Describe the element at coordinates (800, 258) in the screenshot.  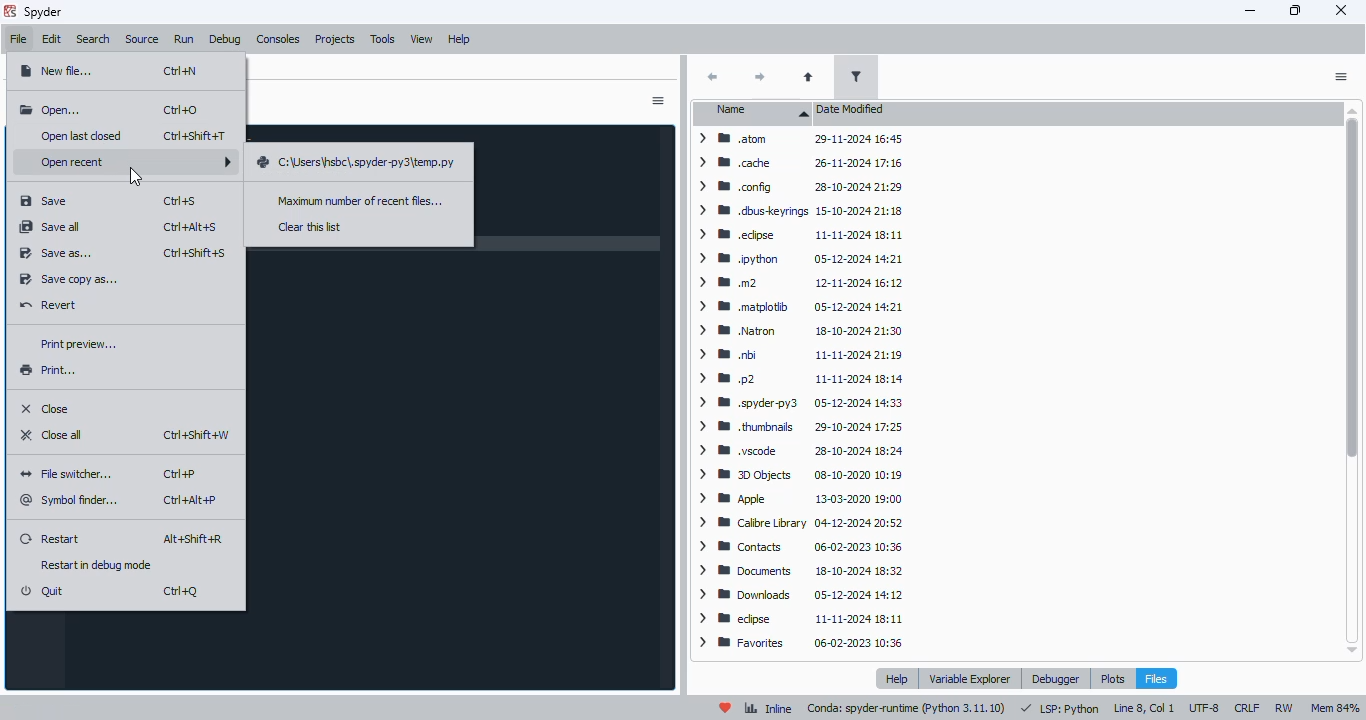
I see `> WM python 05-12-2024 14:21` at that location.